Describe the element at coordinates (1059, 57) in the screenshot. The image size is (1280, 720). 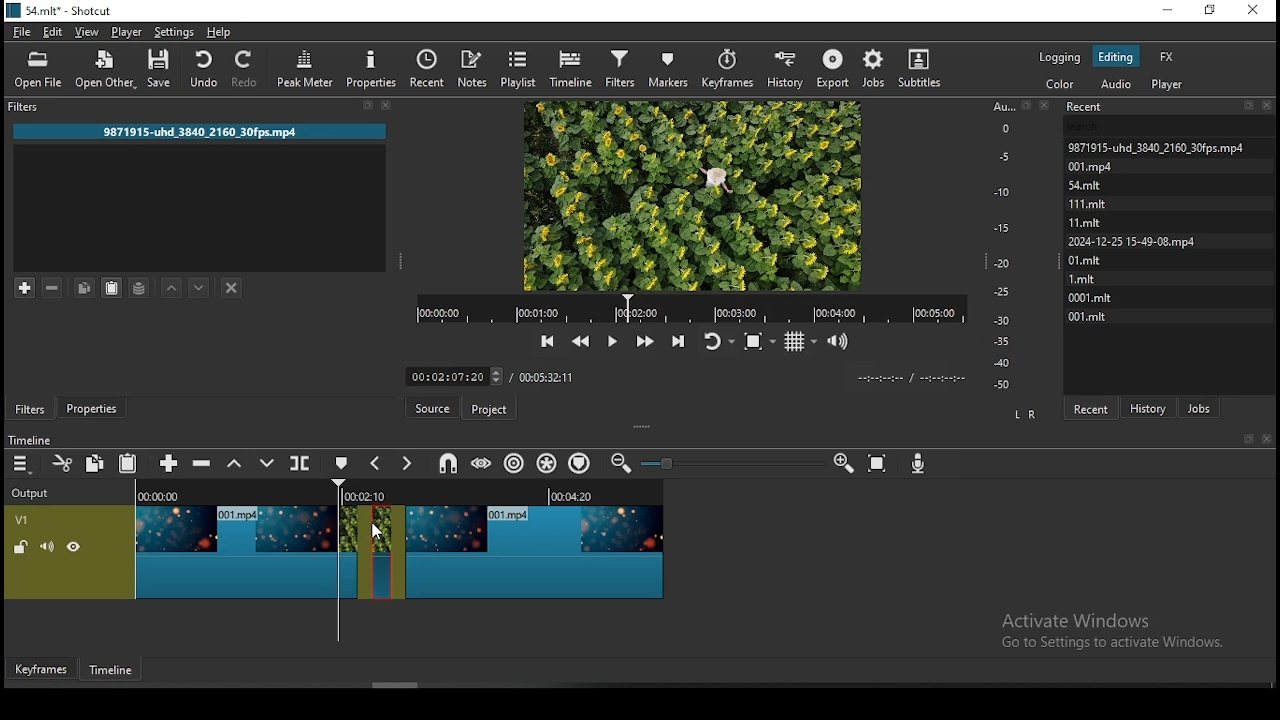
I see `logging` at that location.